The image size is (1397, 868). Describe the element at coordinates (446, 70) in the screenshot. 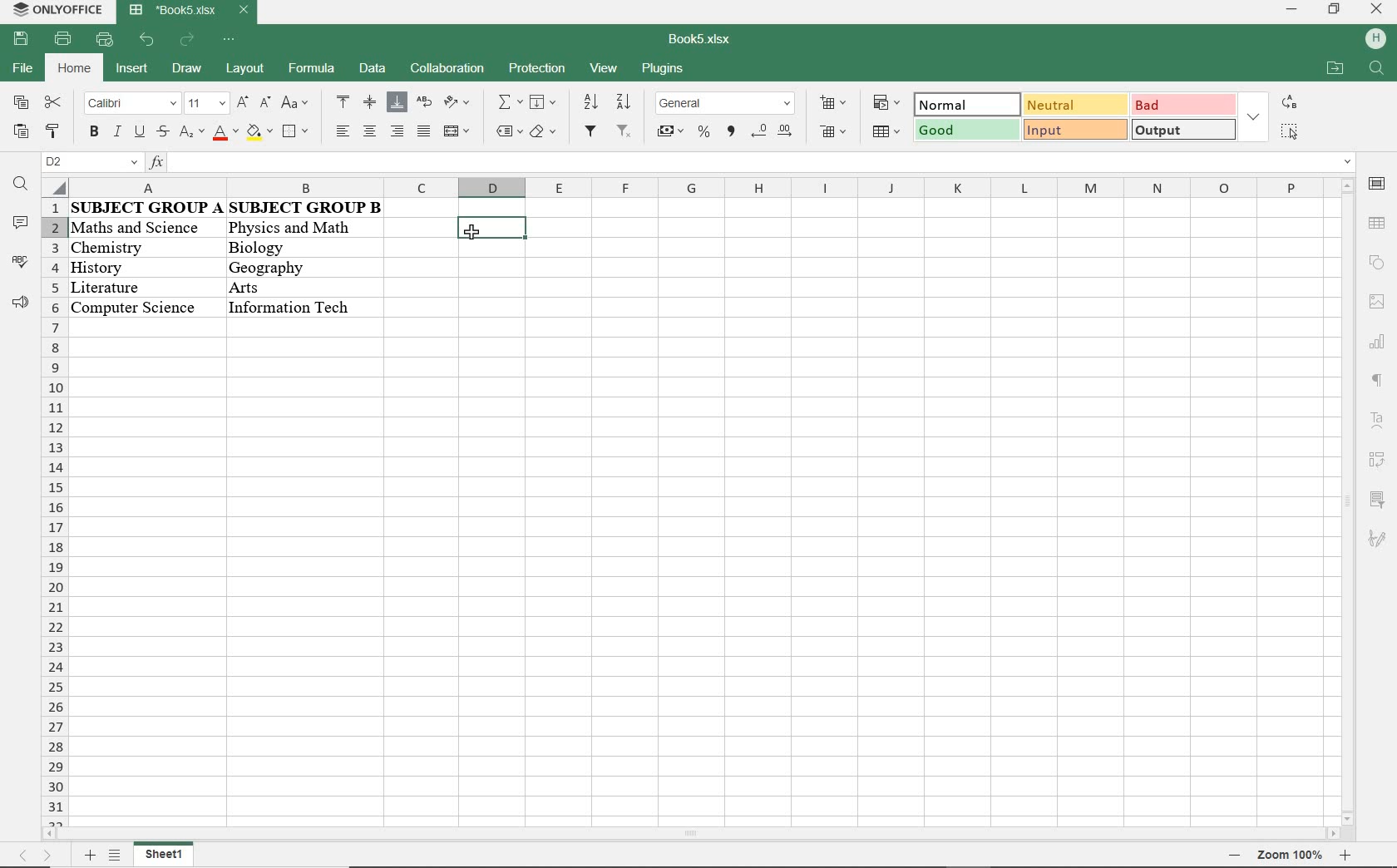

I see `collaboration` at that location.